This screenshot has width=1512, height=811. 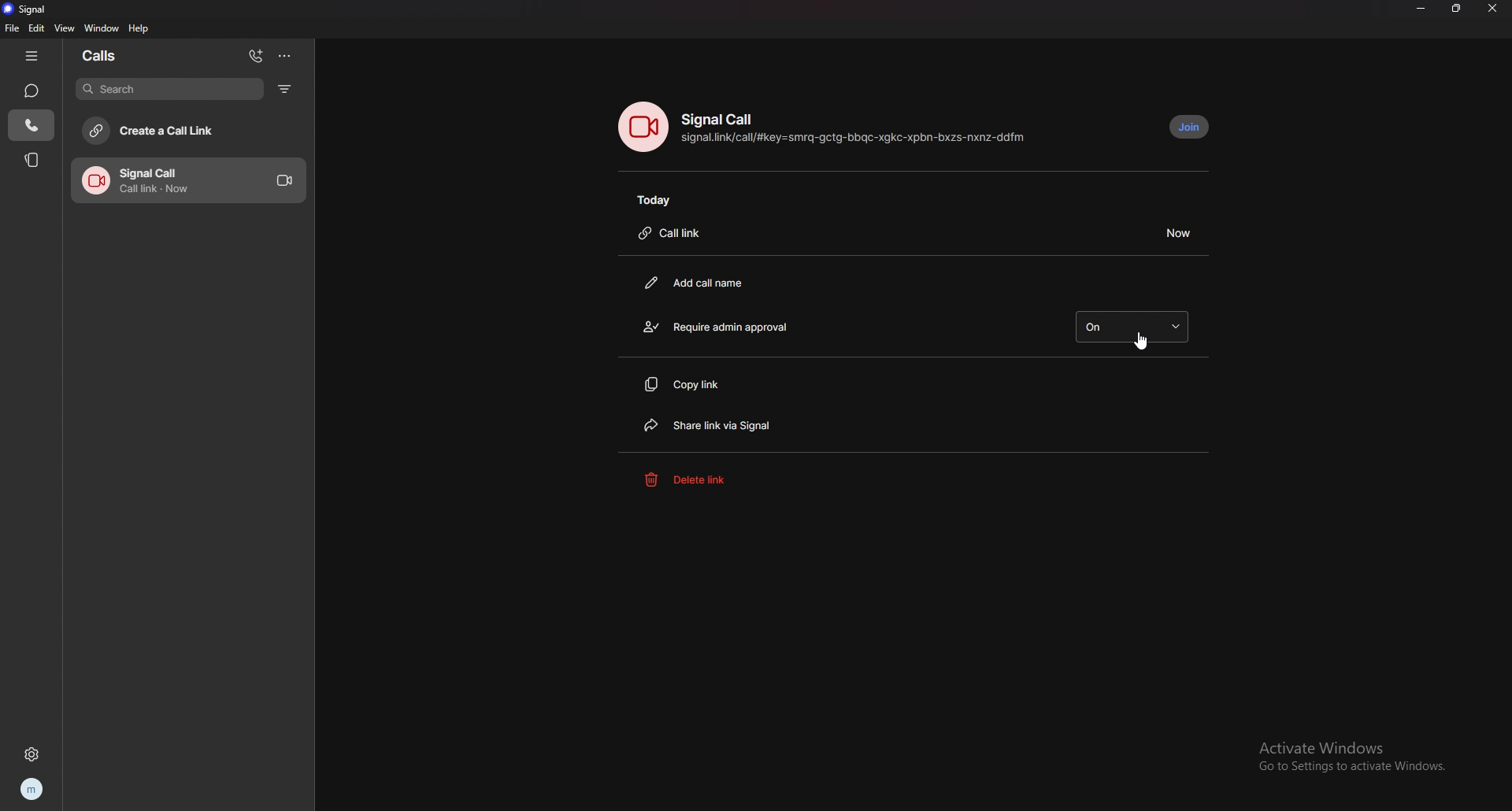 What do you see at coordinates (735, 326) in the screenshot?
I see `require admin approval` at bounding box center [735, 326].